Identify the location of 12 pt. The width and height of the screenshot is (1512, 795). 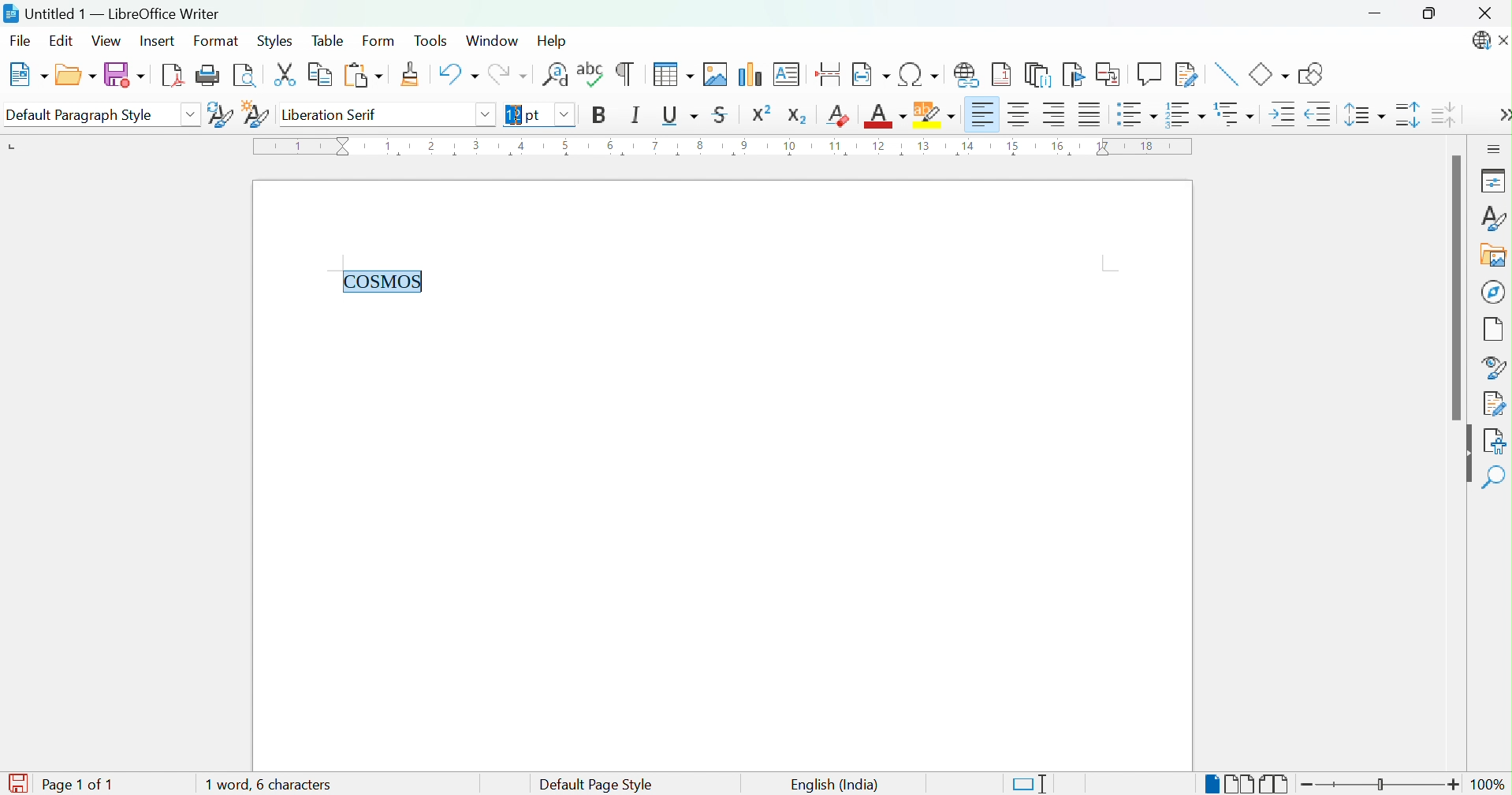
(522, 115).